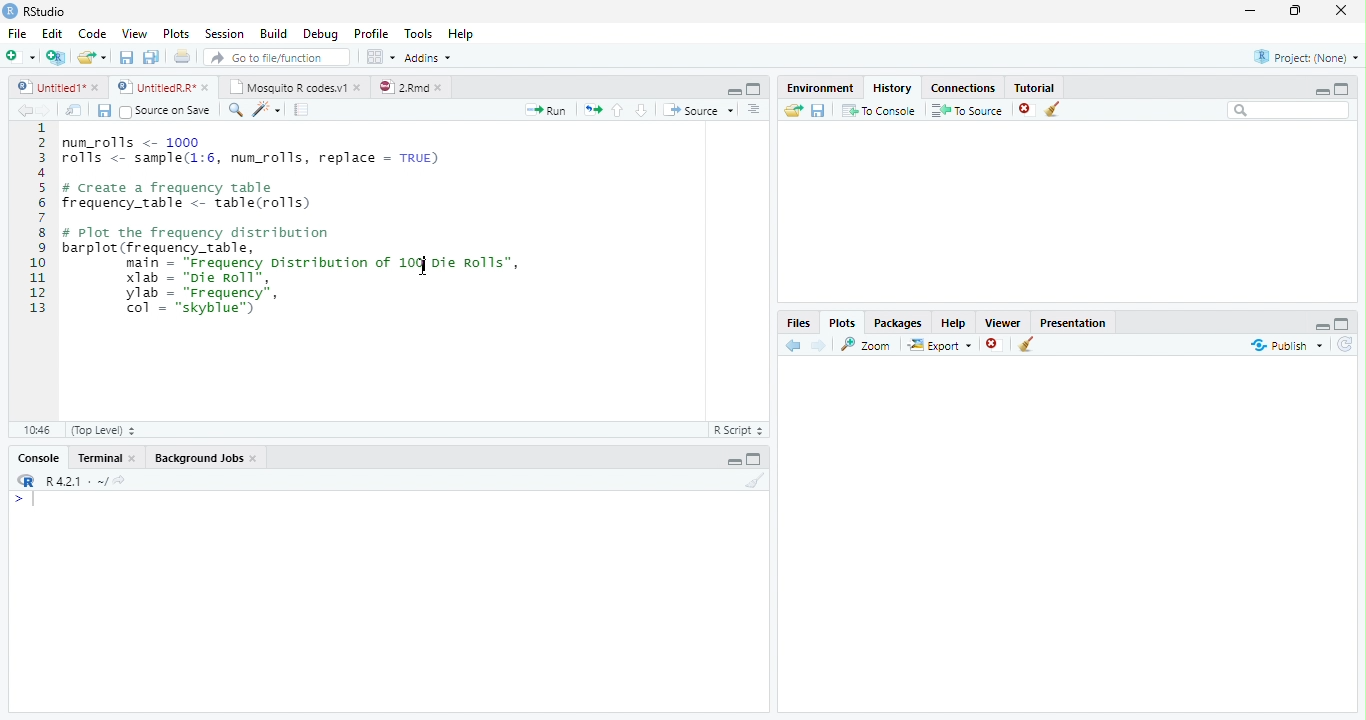 The image size is (1366, 720). Describe the element at coordinates (360, 271) in the screenshot. I see `Code Editor` at that location.